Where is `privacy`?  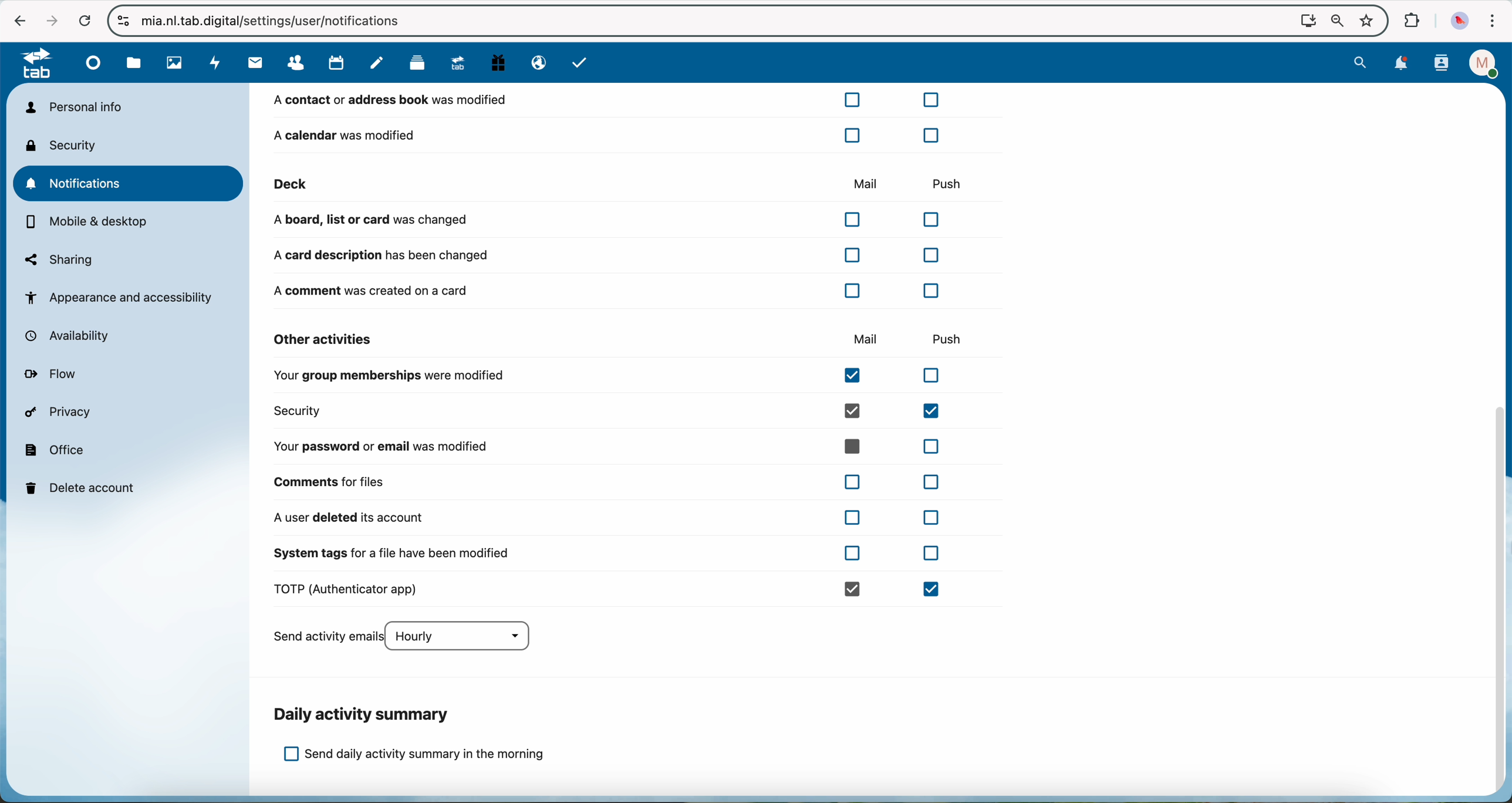
privacy is located at coordinates (61, 414).